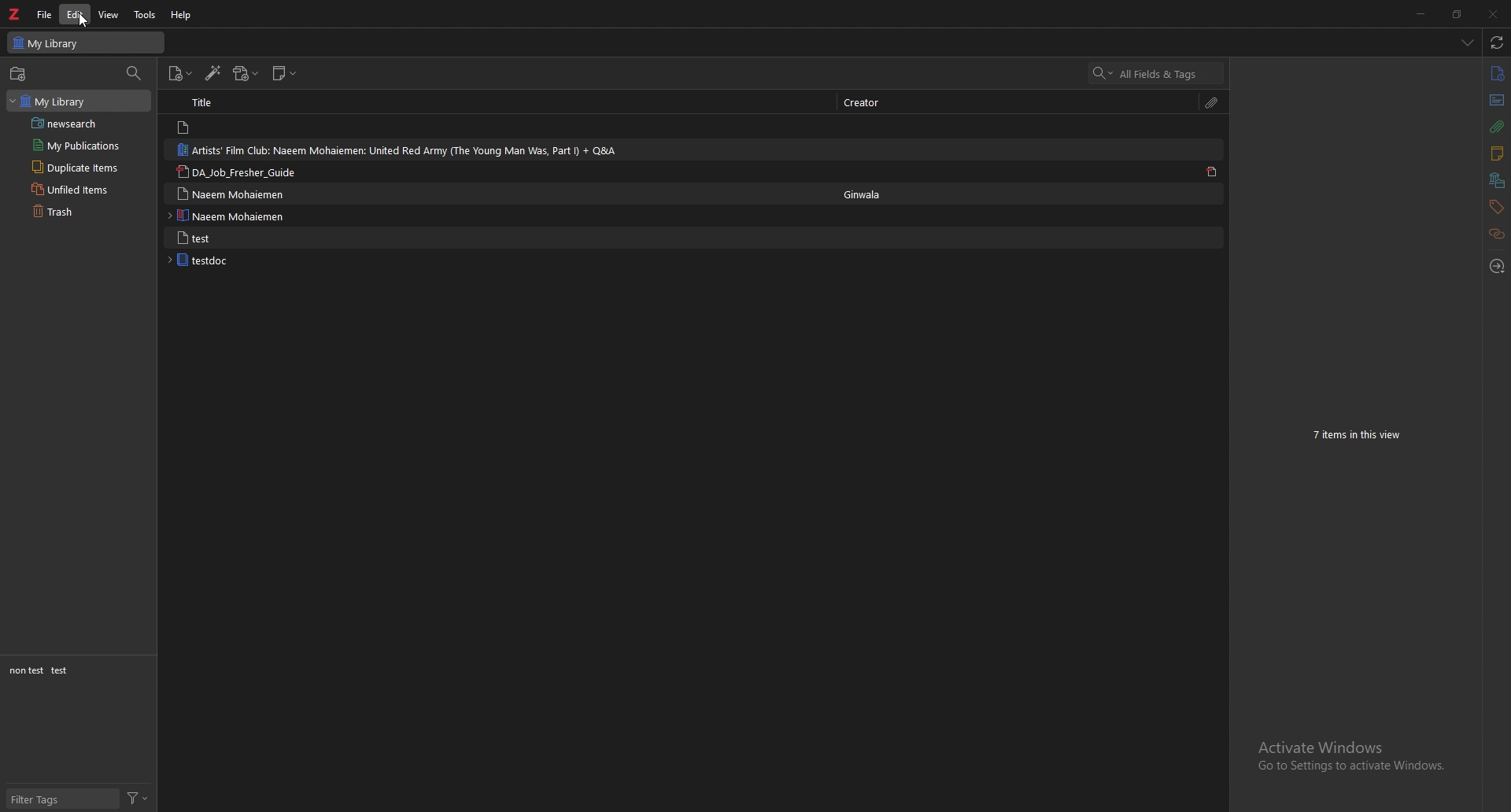 This screenshot has height=812, width=1511. What do you see at coordinates (109, 15) in the screenshot?
I see `view` at bounding box center [109, 15].